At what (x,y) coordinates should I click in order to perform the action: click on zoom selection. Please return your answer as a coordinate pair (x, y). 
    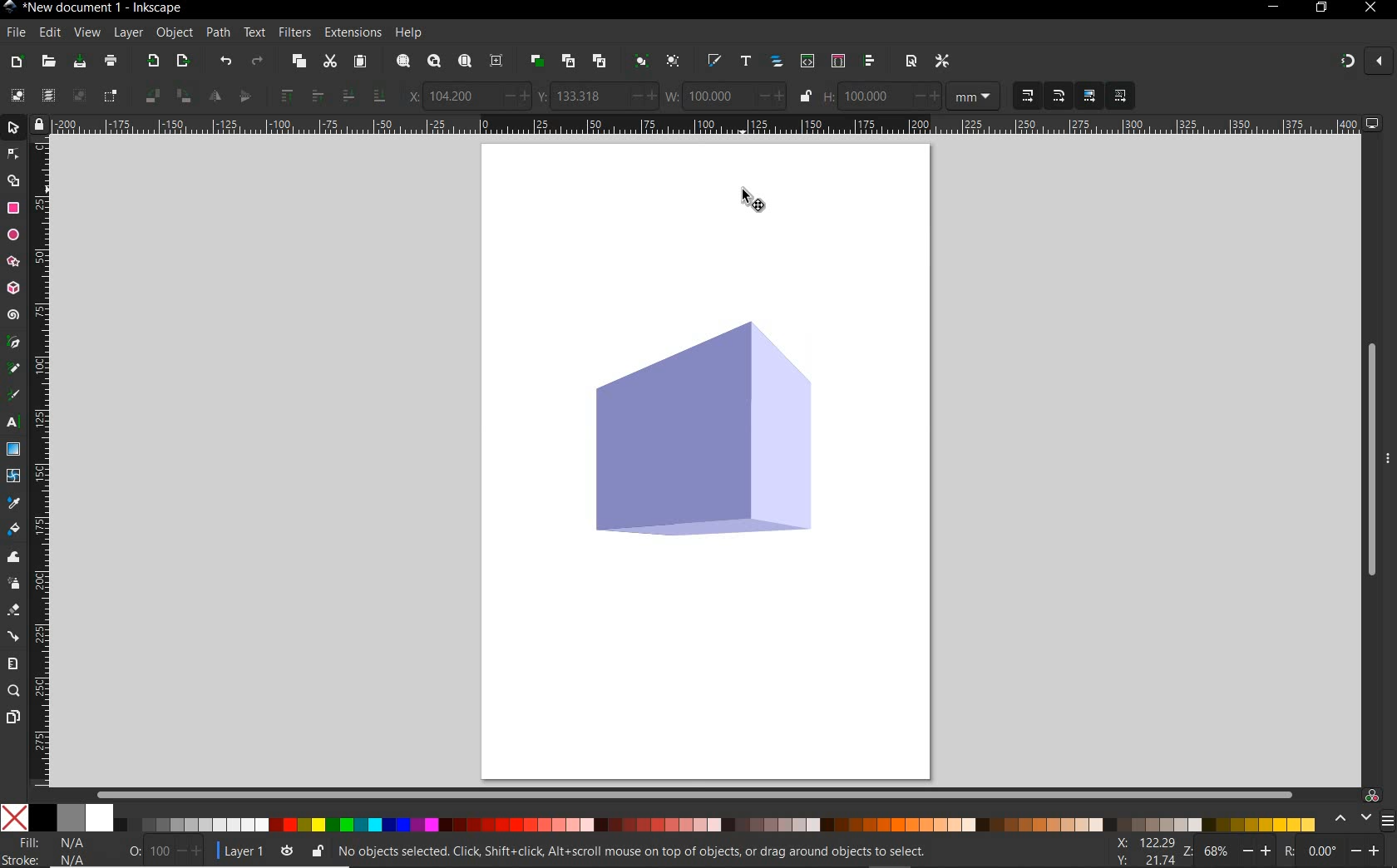
    Looking at the image, I should click on (402, 61).